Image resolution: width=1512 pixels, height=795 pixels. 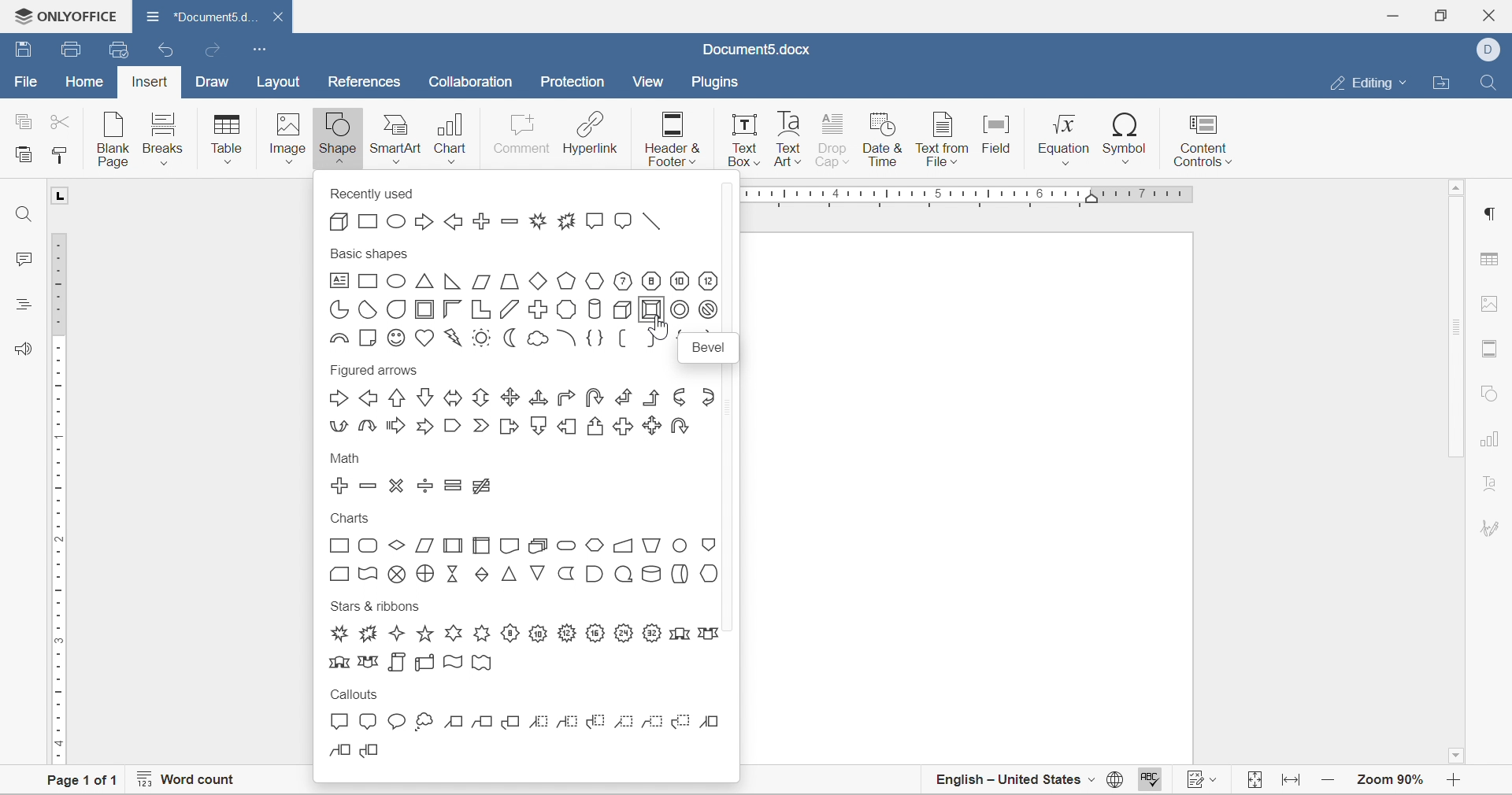 I want to click on copy, so click(x=20, y=120).